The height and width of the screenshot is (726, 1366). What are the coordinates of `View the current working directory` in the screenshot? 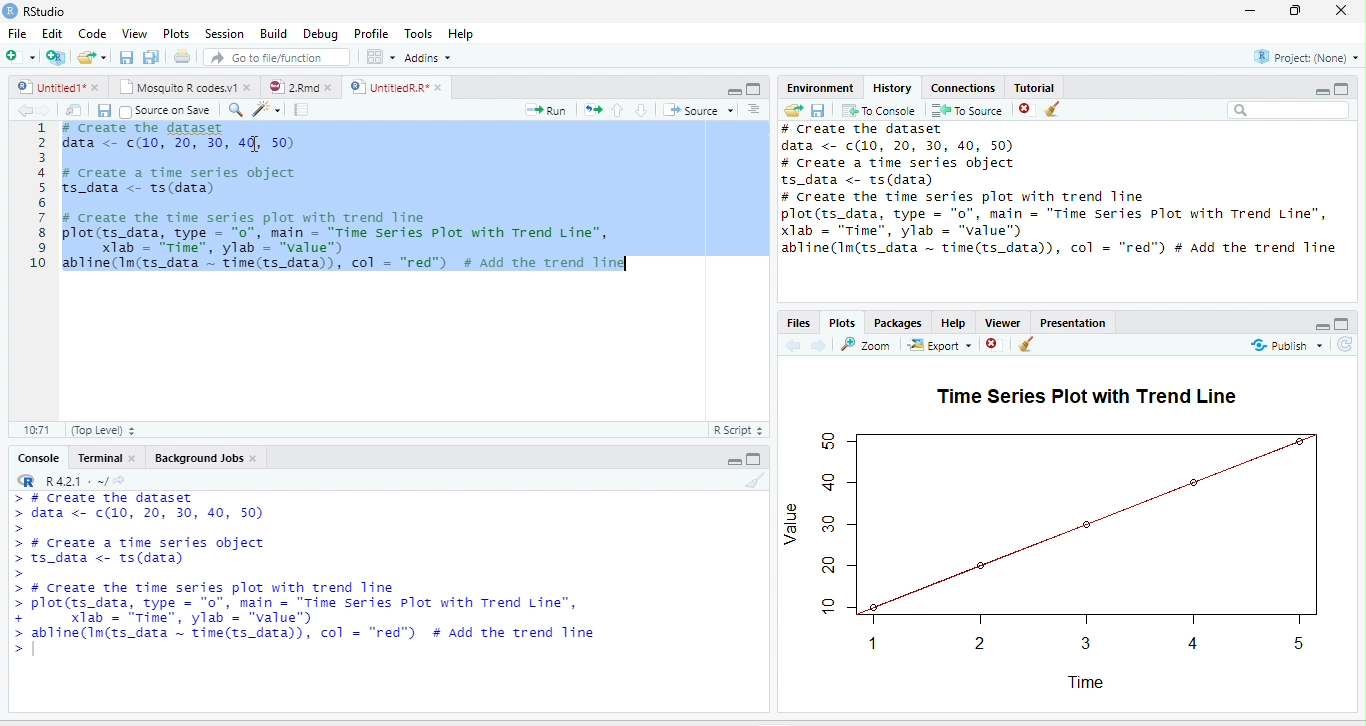 It's located at (120, 479).